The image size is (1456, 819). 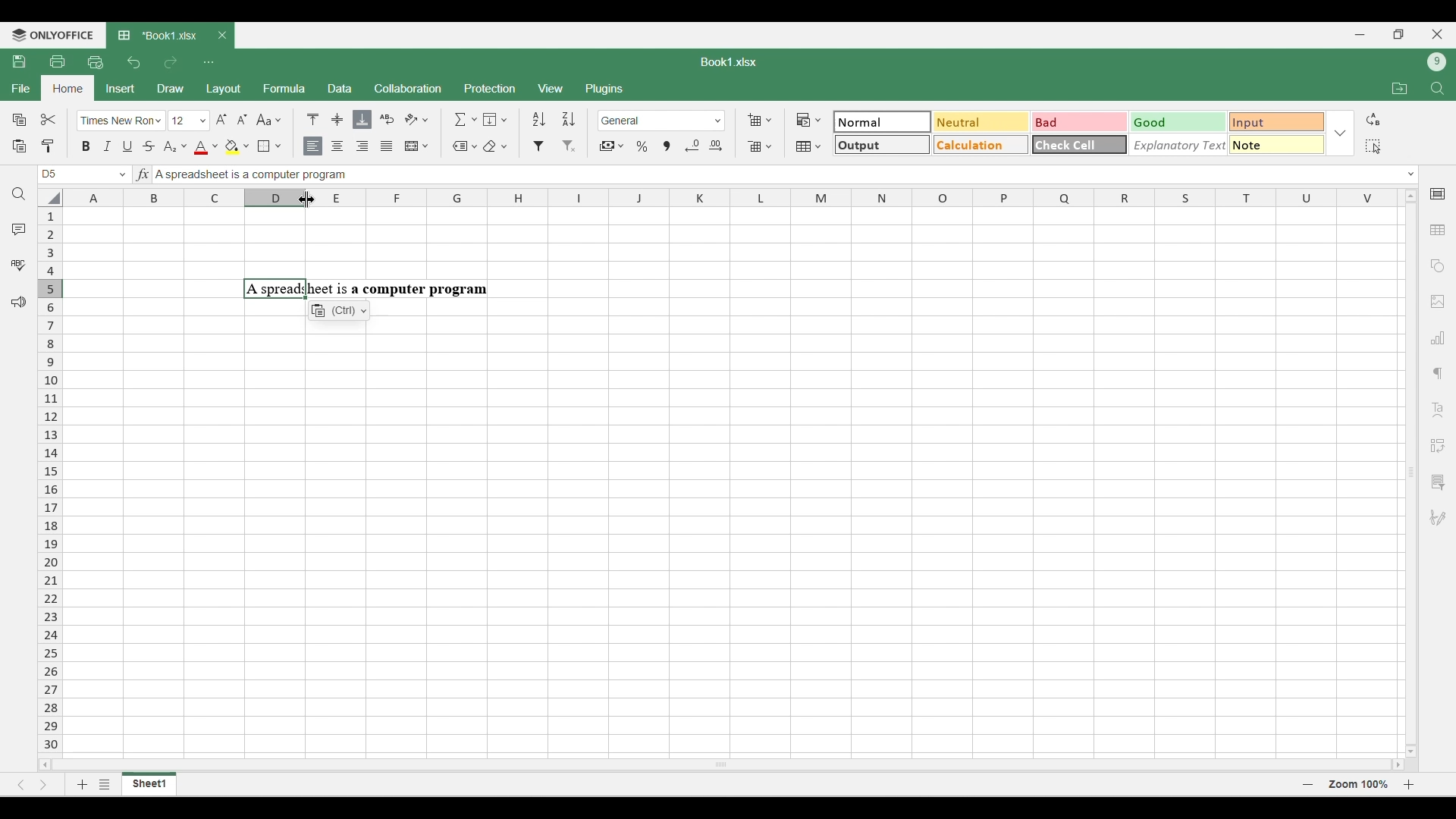 What do you see at coordinates (149, 784) in the screenshot?
I see `Current sheet` at bounding box center [149, 784].